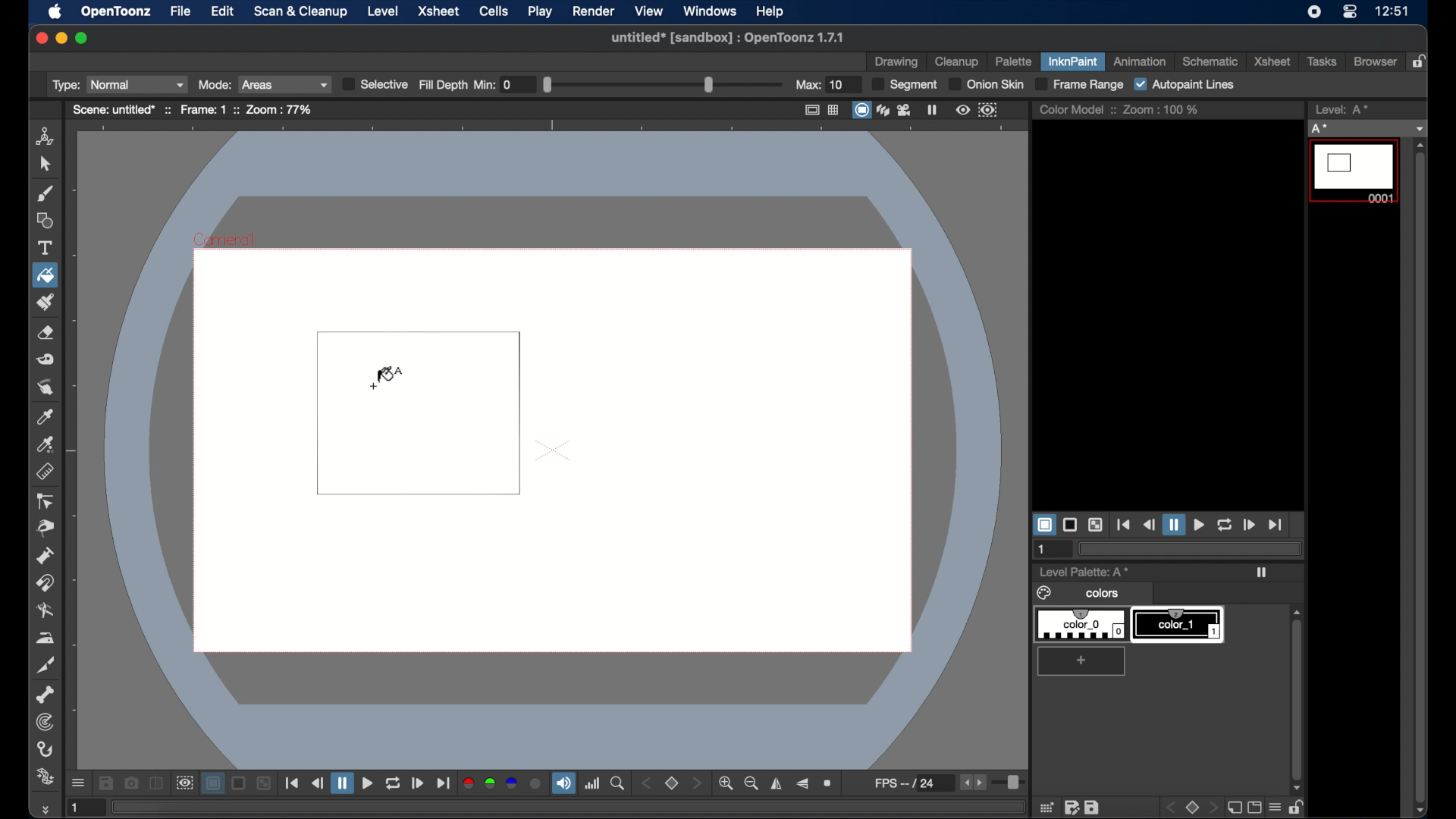 This screenshot has height=819, width=1456. Describe the element at coordinates (45, 639) in the screenshot. I see `iron tool` at that location.